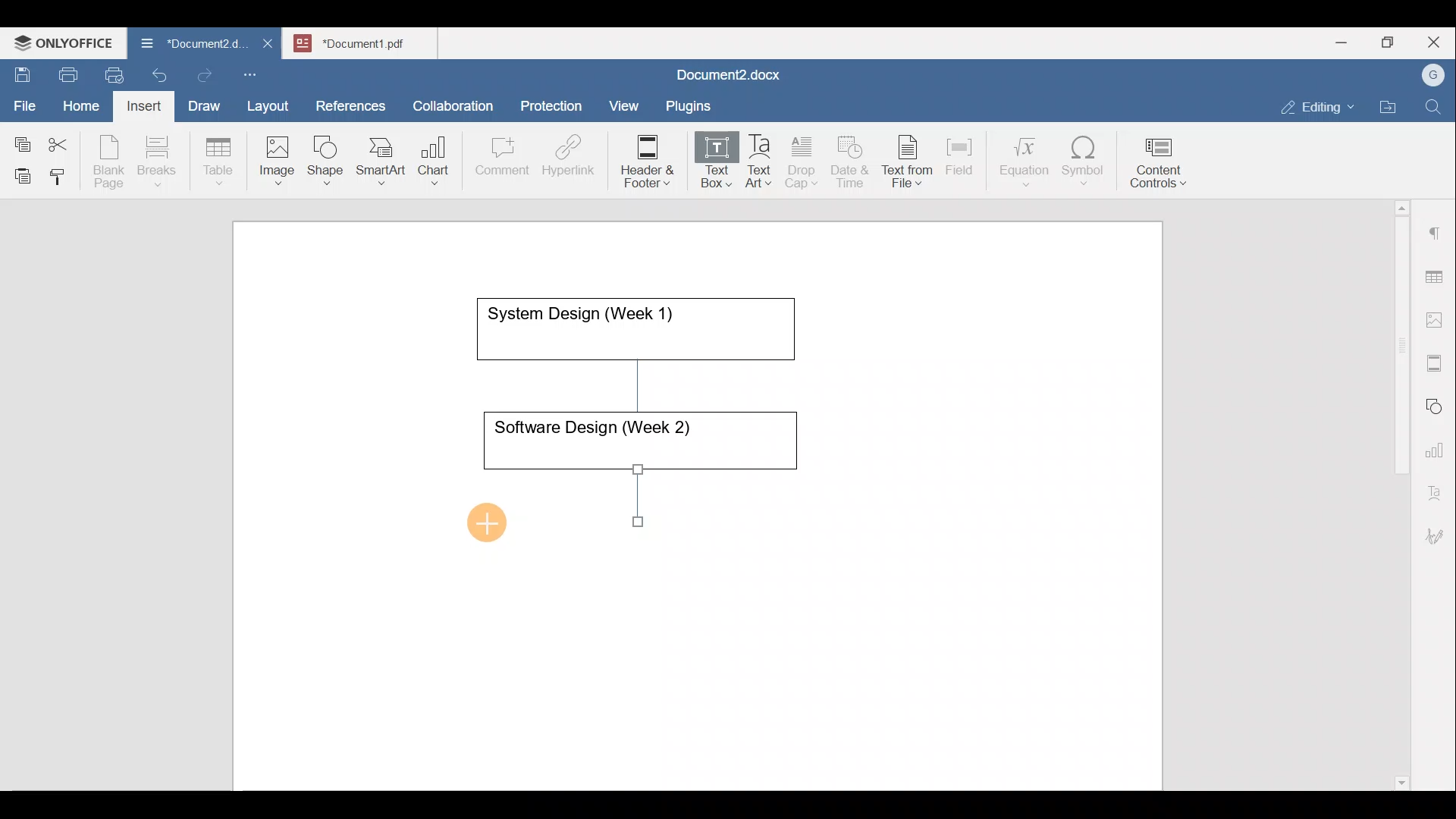  What do you see at coordinates (1436, 487) in the screenshot?
I see `Text Art settings` at bounding box center [1436, 487].